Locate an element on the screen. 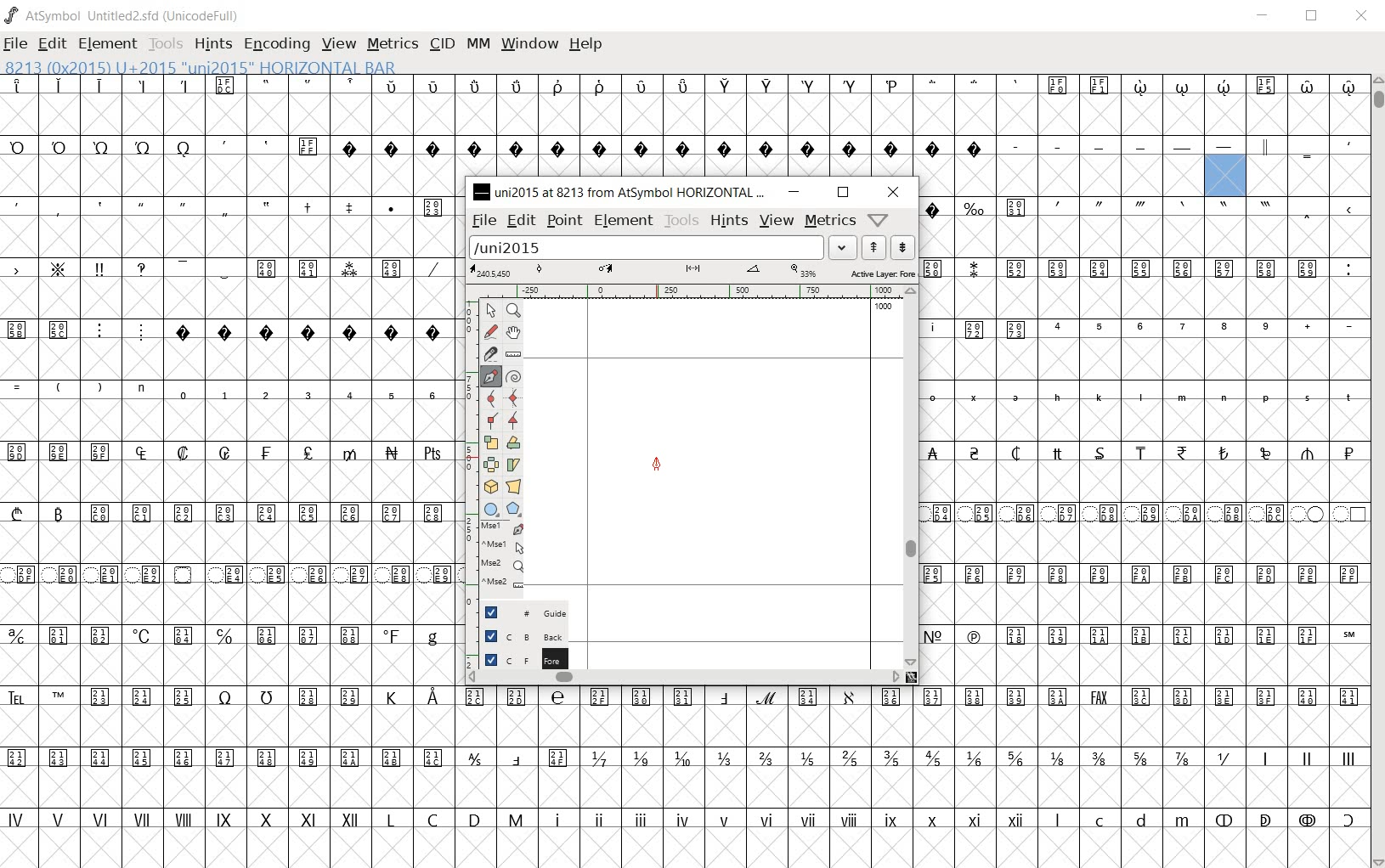 The width and height of the screenshot is (1385, 868). metrics is located at coordinates (828, 220).